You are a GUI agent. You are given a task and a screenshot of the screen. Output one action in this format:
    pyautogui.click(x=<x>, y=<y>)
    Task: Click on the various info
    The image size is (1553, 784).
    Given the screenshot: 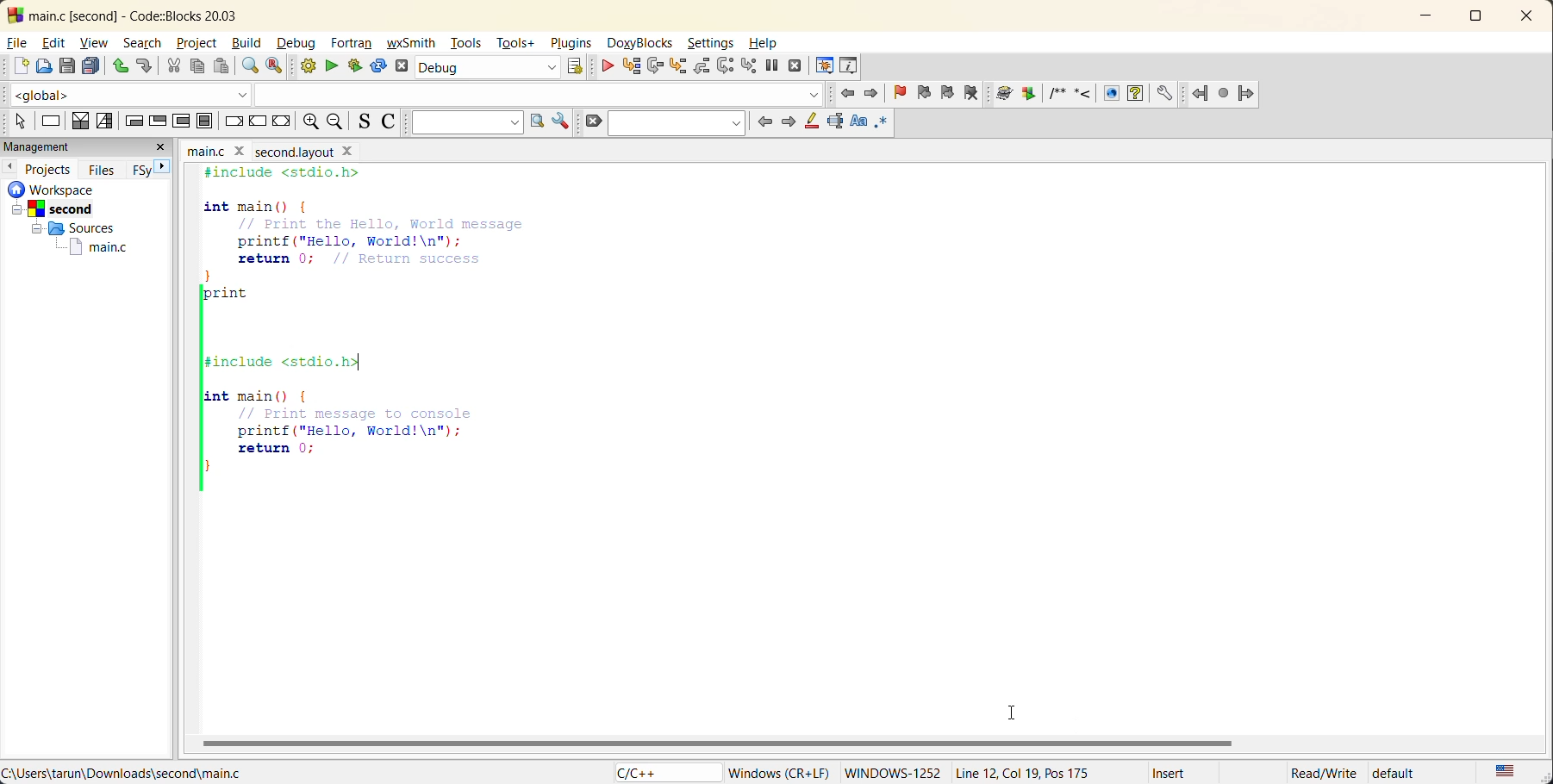 What is the action you would take?
    pyautogui.click(x=846, y=65)
    